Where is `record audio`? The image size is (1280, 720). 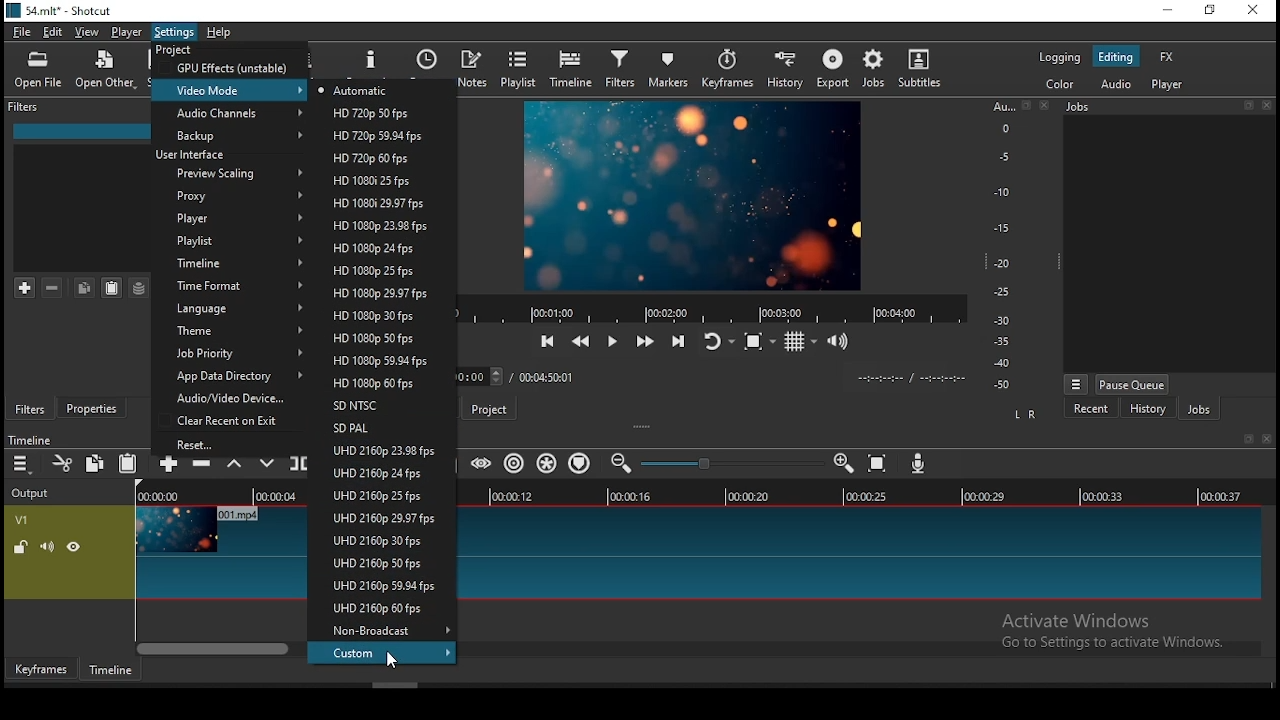 record audio is located at coordinates (919, 463).